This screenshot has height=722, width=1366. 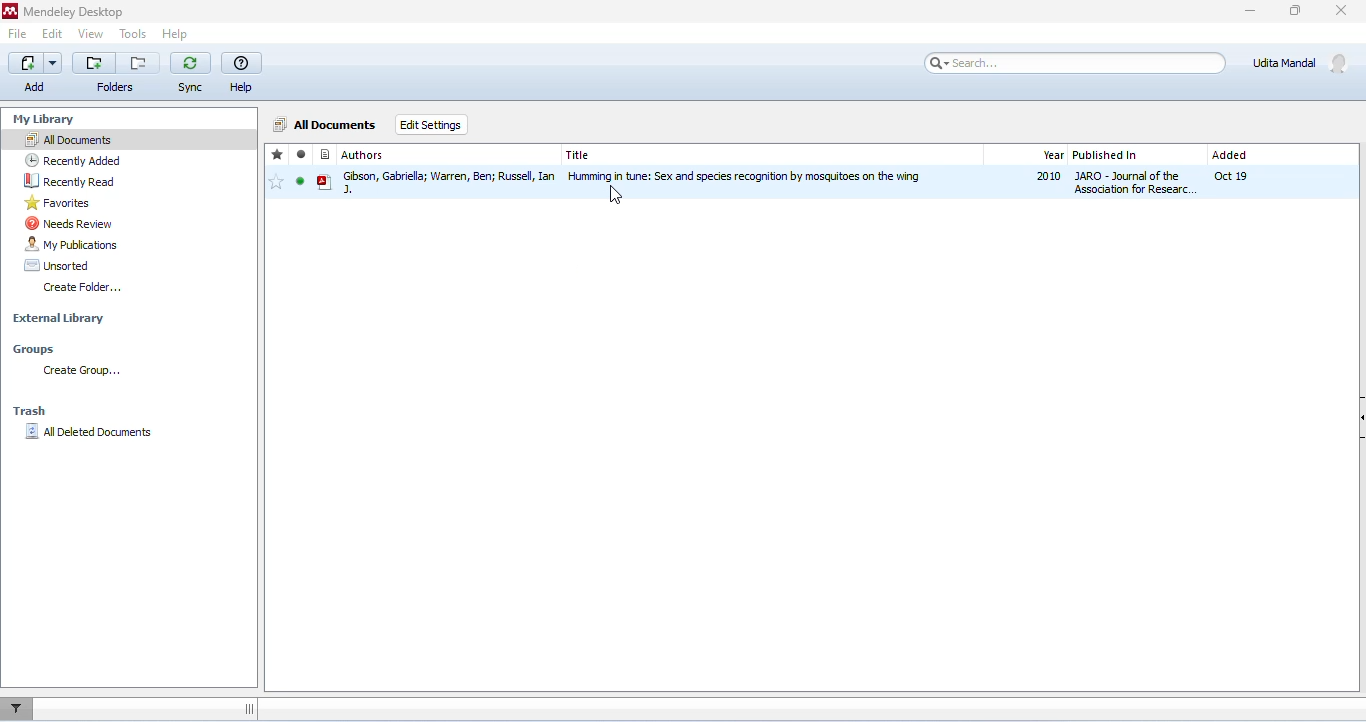 I want to click on minimize, so click(x=1250, y=11).